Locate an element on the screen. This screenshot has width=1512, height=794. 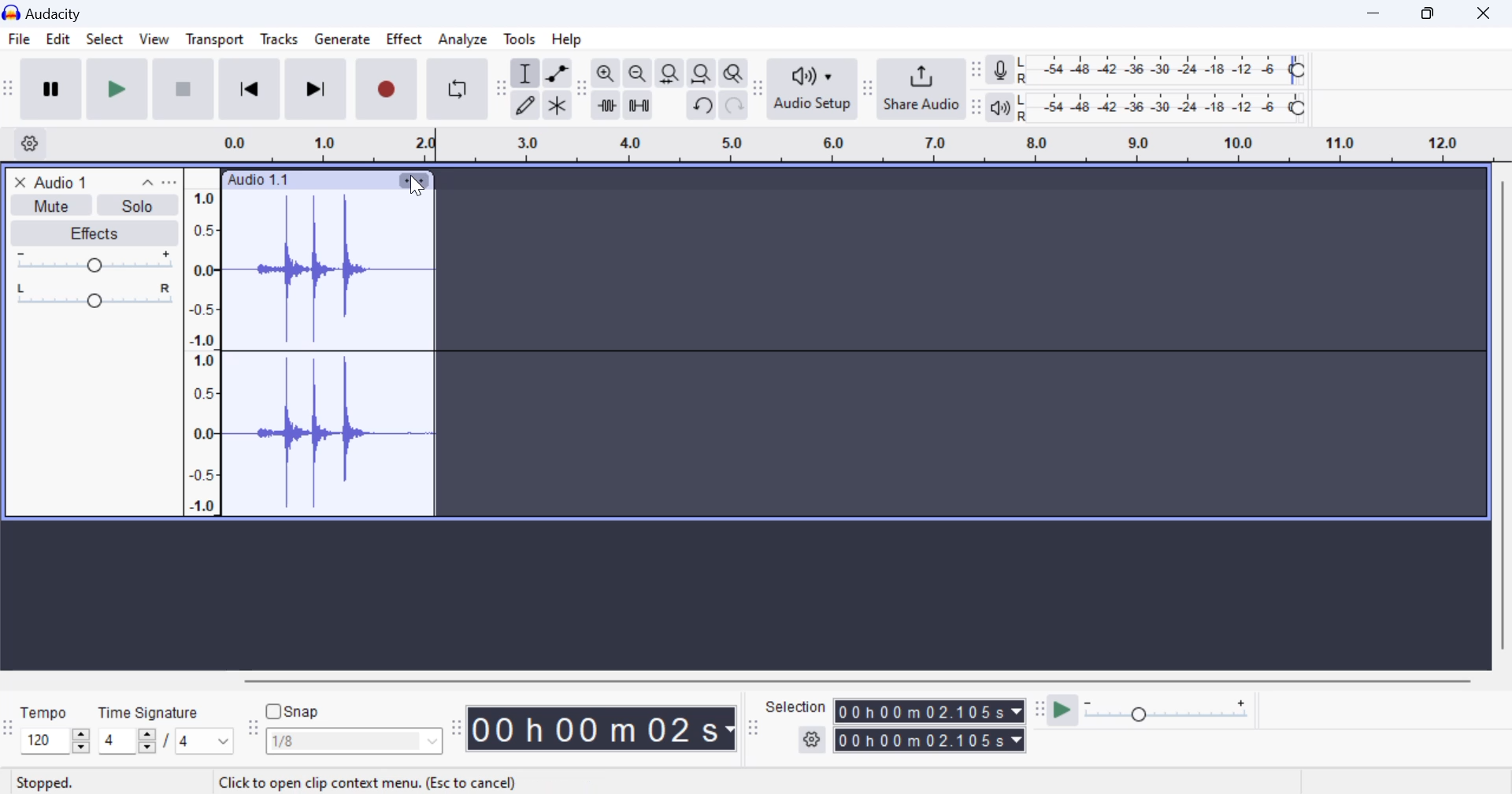
Pause is located at coordinates (50, 89).